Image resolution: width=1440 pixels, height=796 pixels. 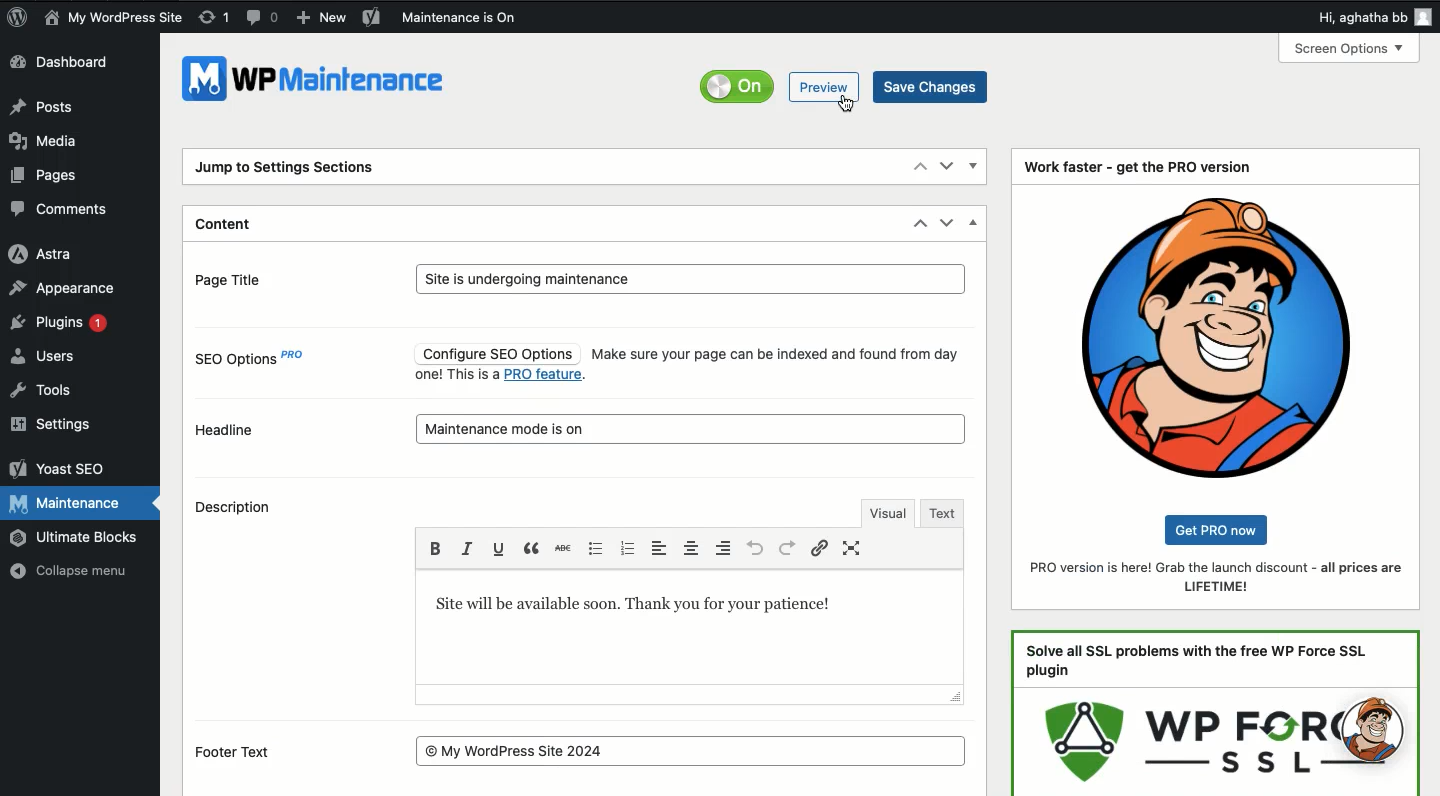 What do you see at coordinates (226, 429) in the screenshot?
I see `Headline` at bounding box center [226, 429].